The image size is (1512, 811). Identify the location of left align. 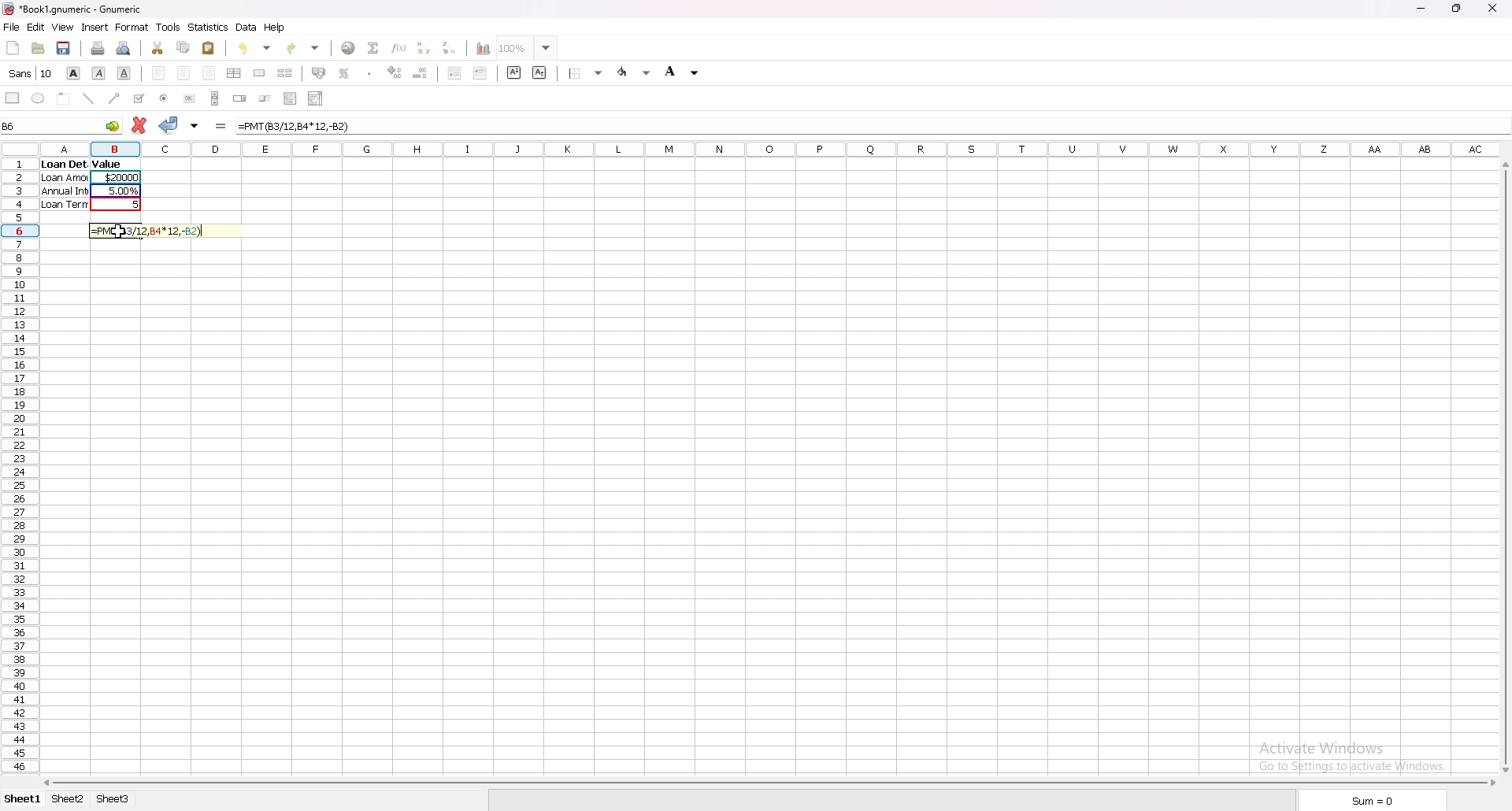
(158, 72).